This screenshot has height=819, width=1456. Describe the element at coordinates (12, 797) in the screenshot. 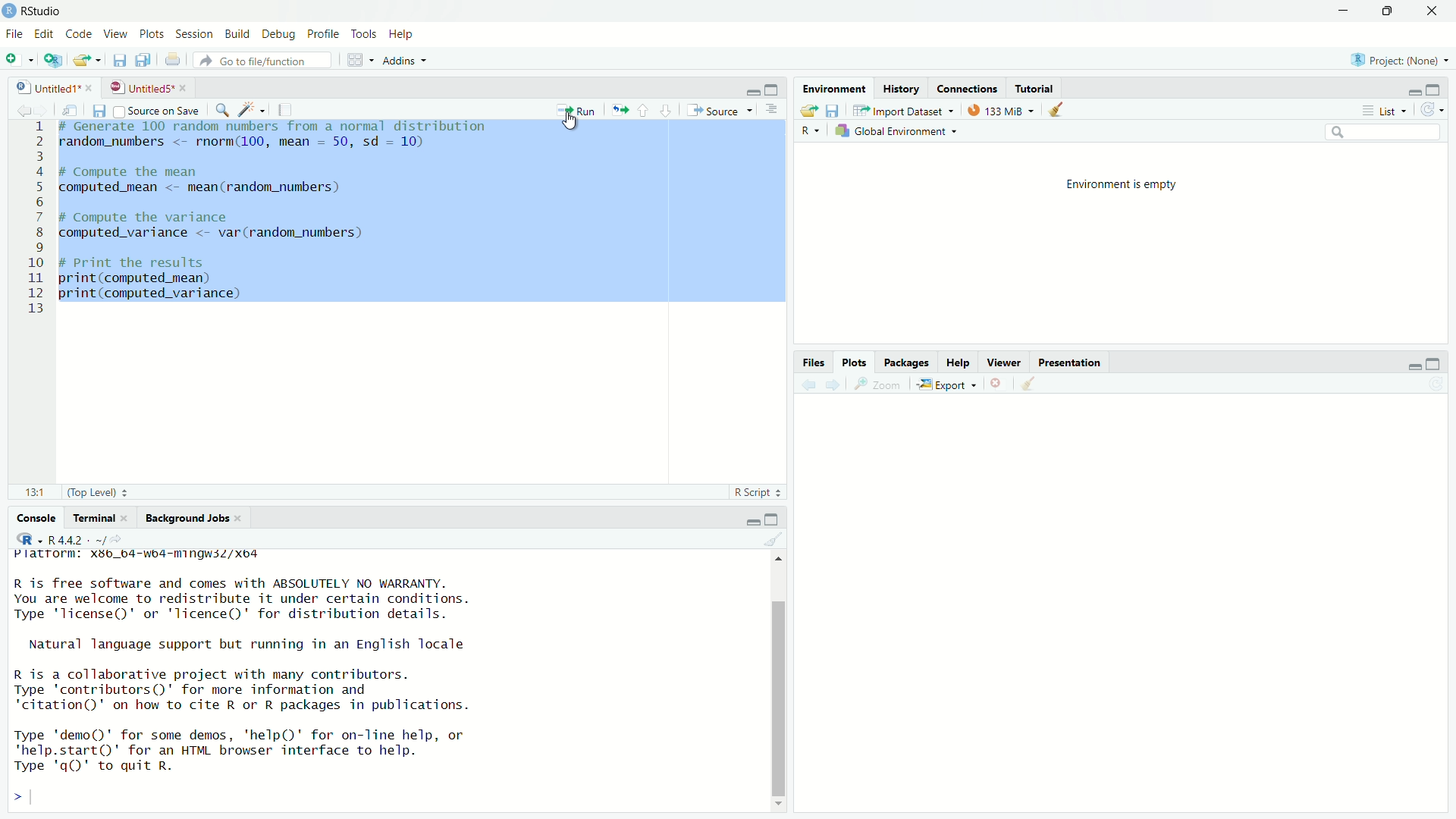

I see `prompt cursor` at that location.